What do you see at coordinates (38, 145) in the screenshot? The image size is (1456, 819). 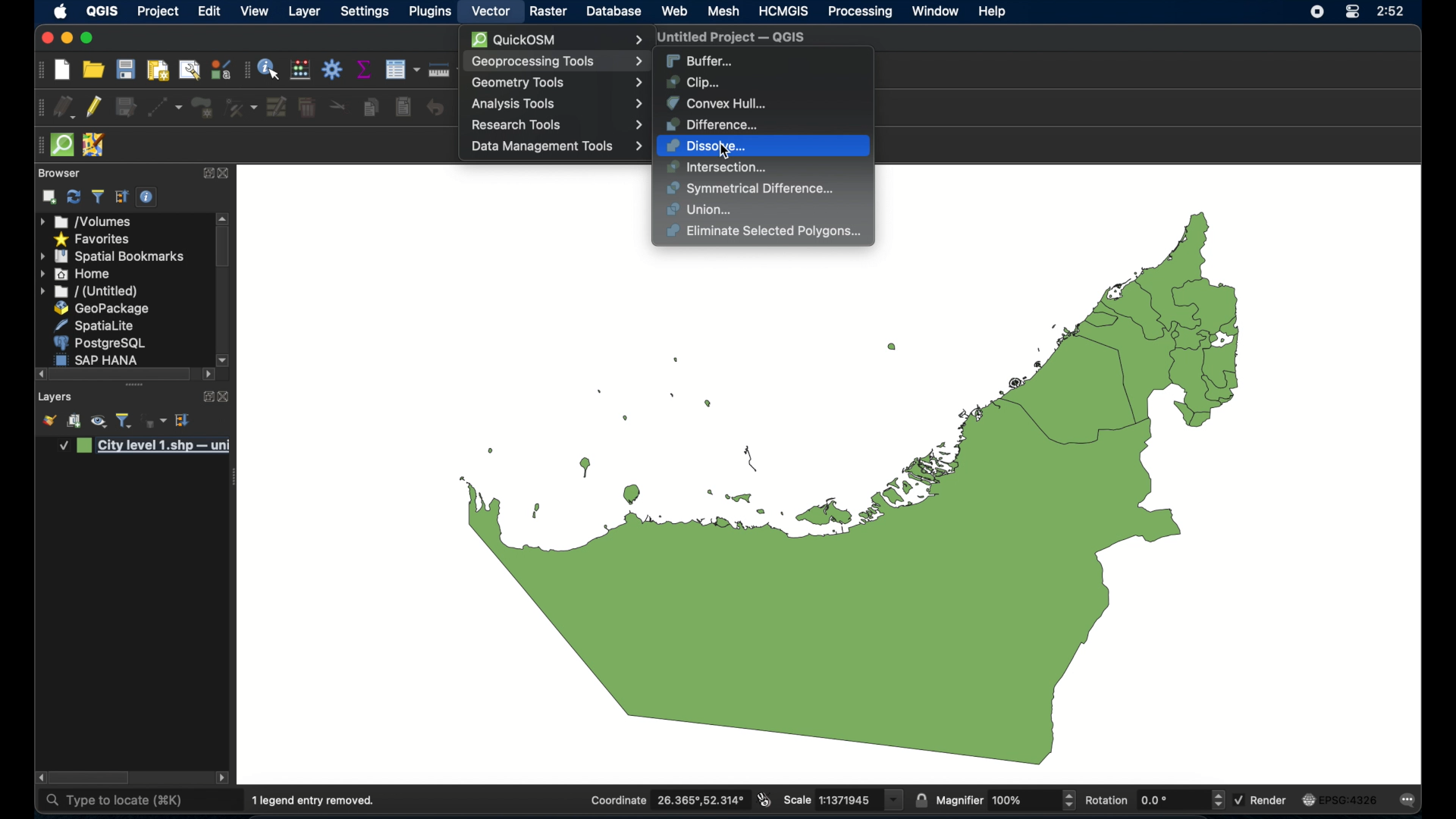 I see `drag handle` at bounding box center [38, 145].